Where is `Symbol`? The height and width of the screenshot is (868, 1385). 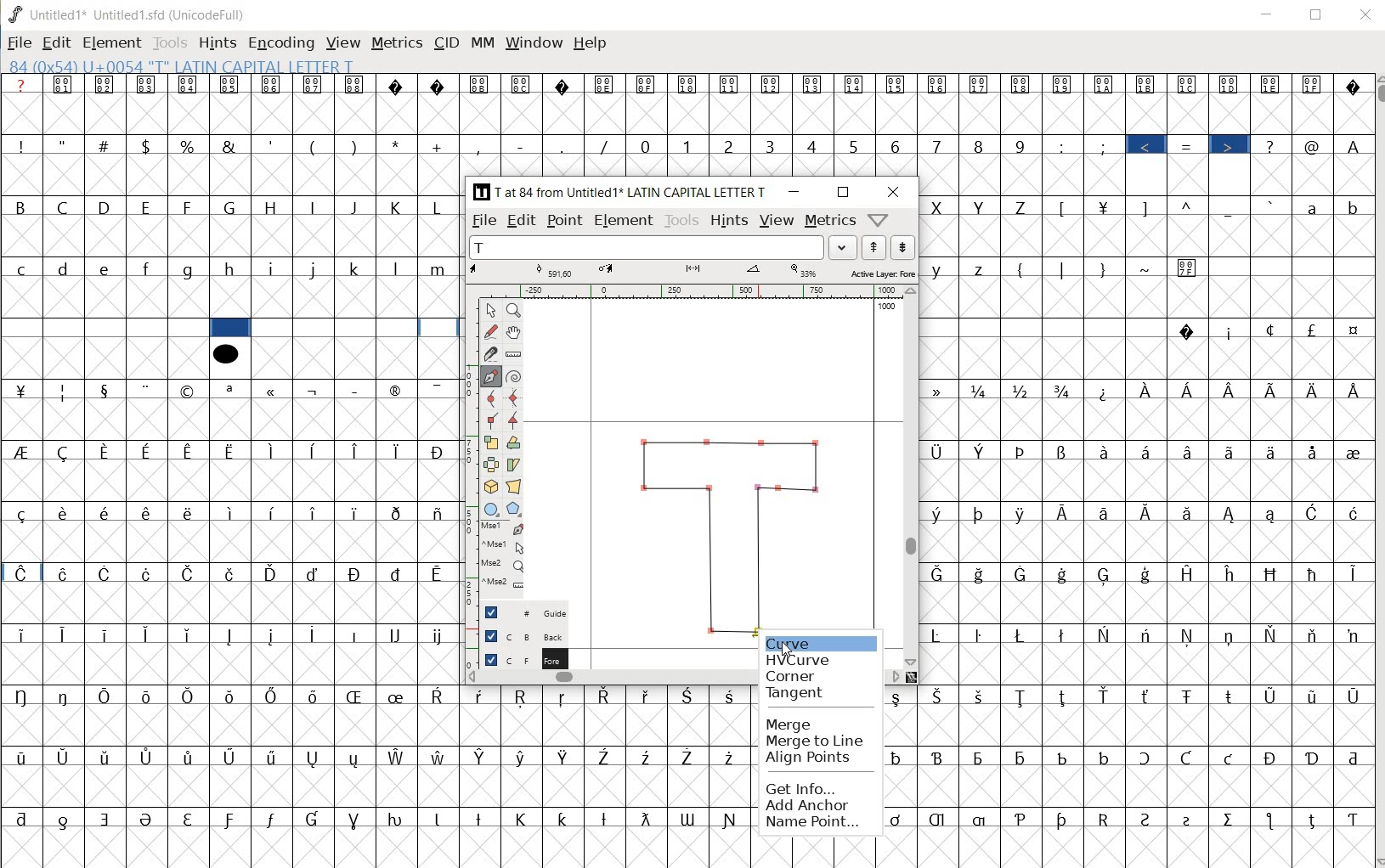 Symbol is located at coordinates (65, 820).